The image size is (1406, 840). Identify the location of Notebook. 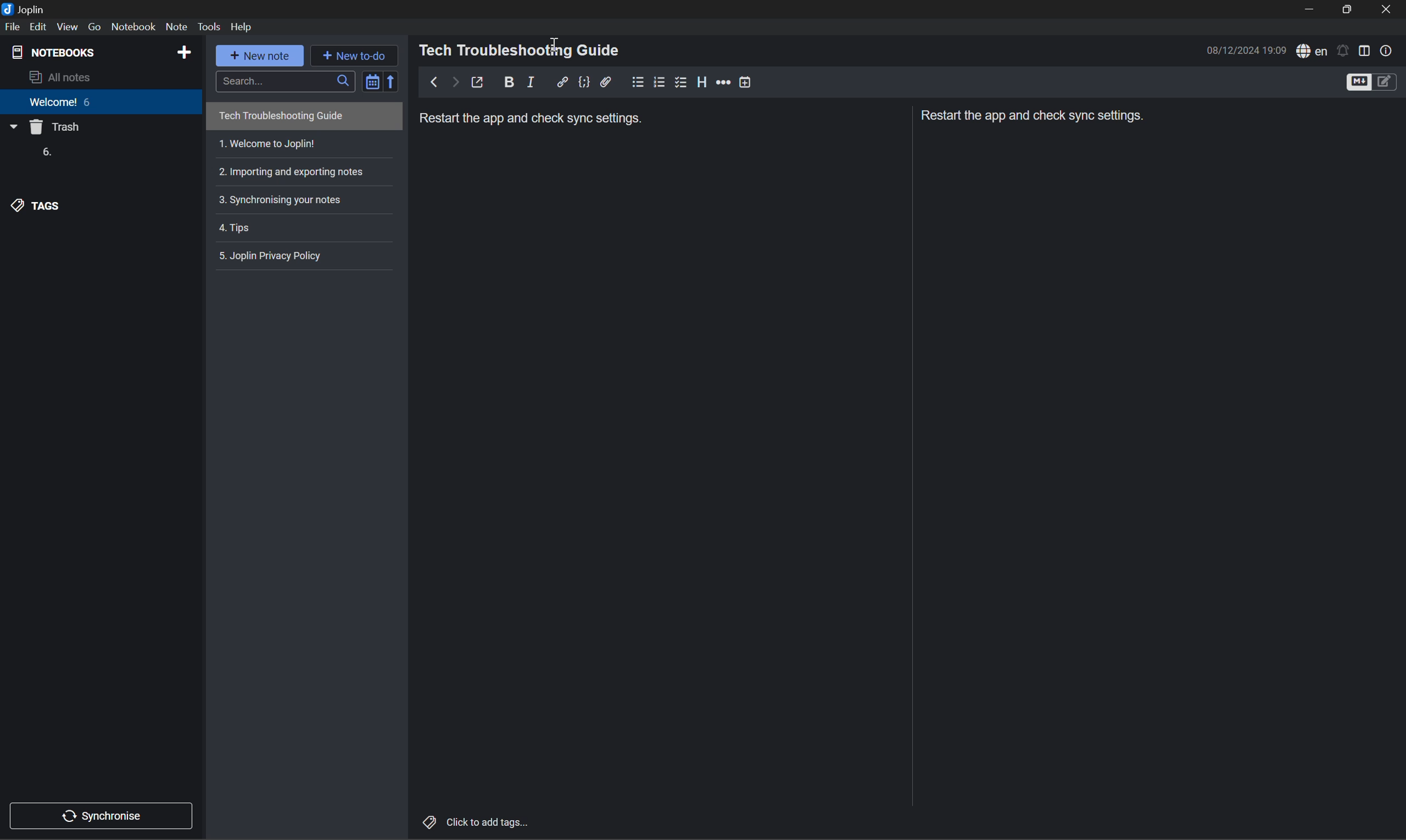
(133, 27).